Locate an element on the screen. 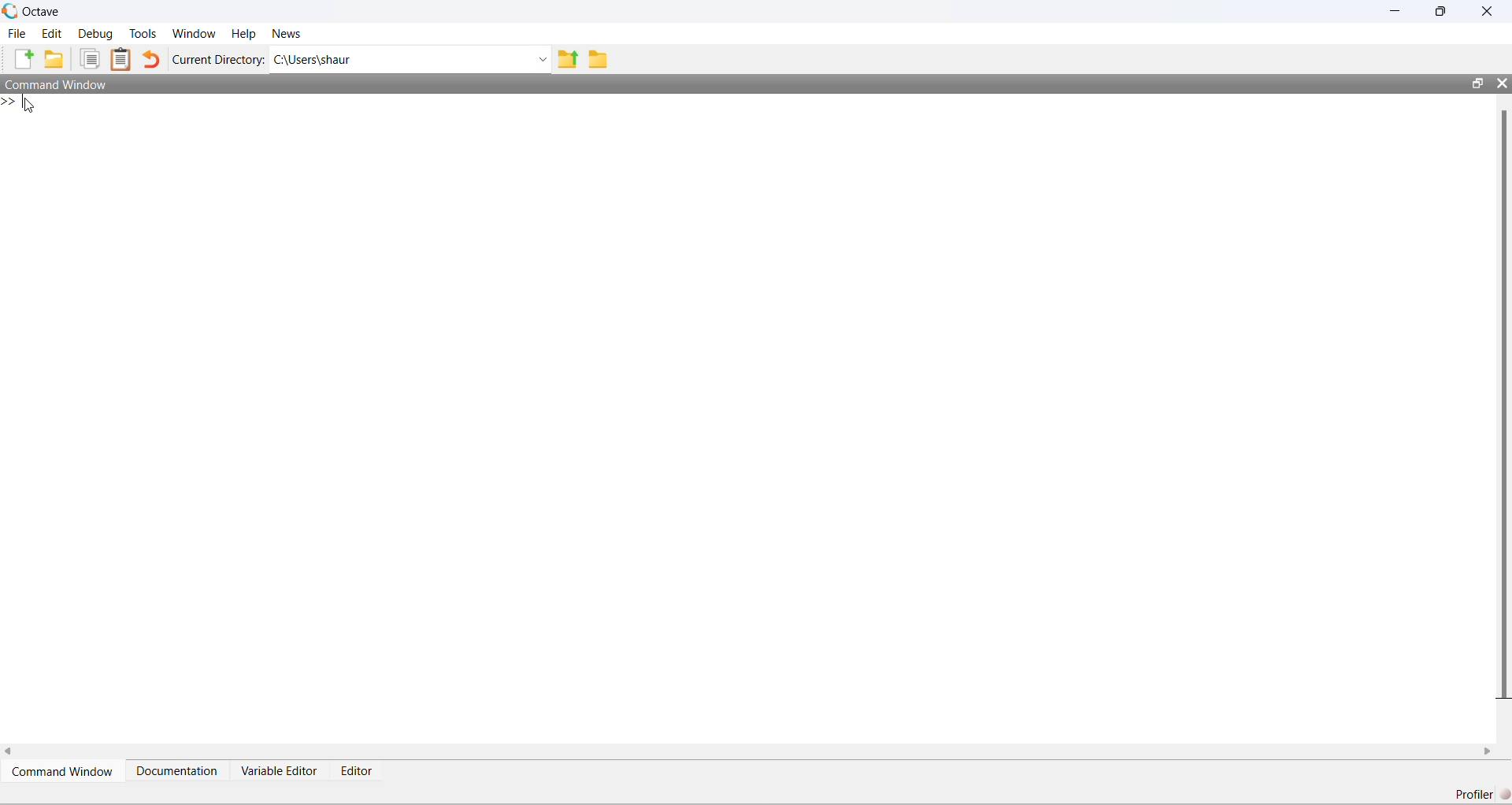  Window is located at coordinates (193, 34).